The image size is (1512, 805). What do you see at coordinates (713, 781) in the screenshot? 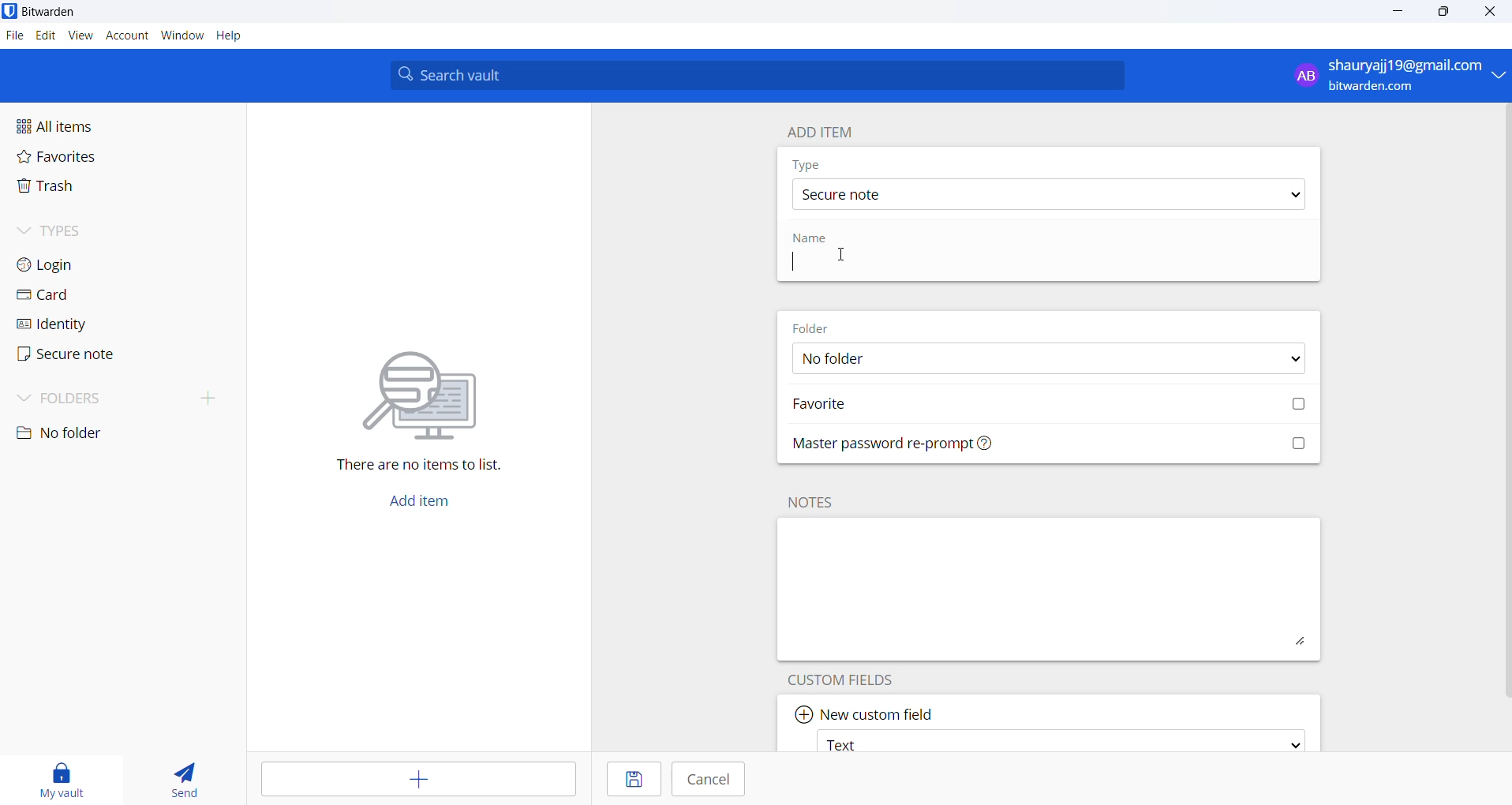
I see `cancel` at bounding box center [713, 781].